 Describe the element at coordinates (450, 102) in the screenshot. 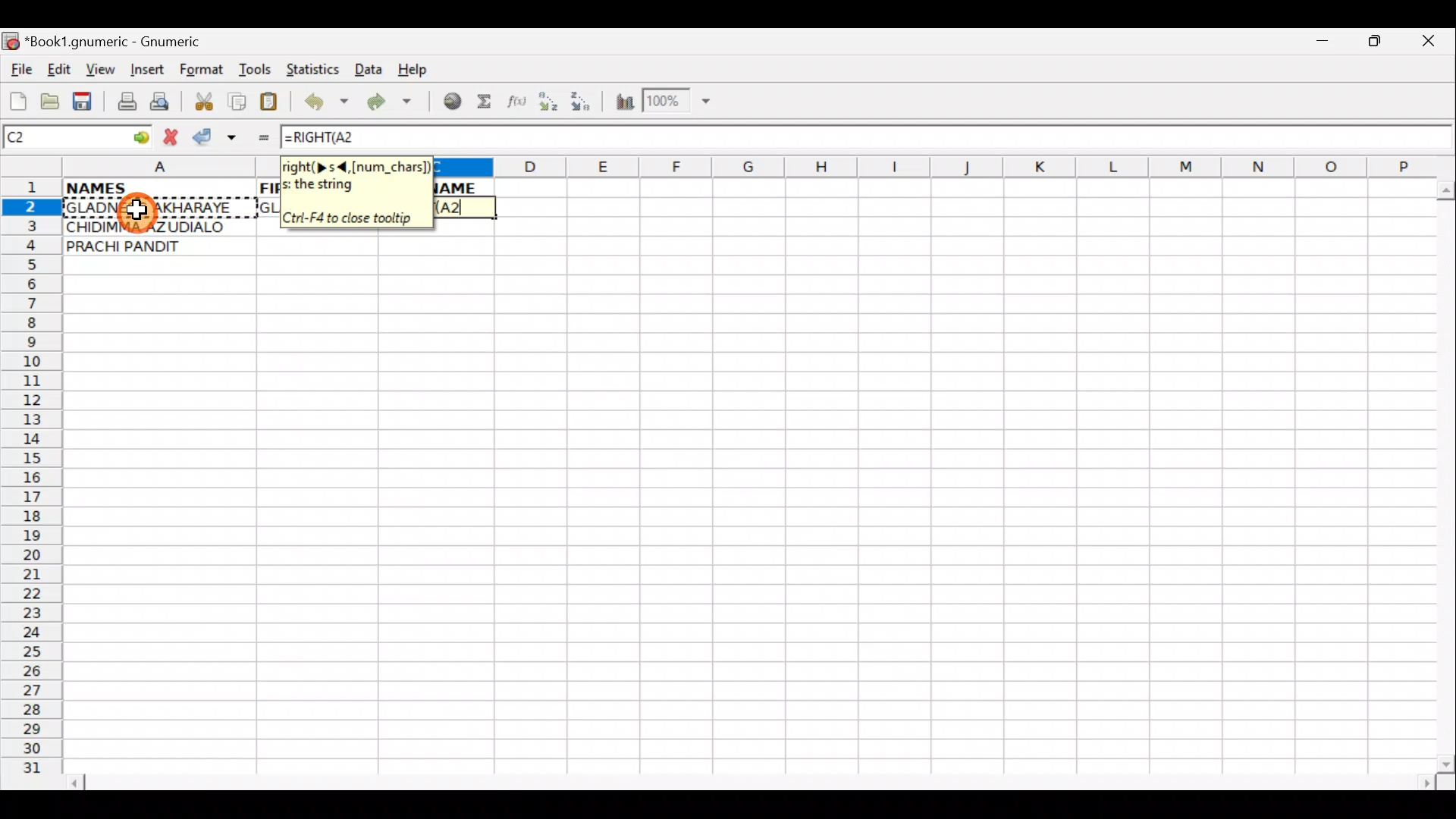

I see `Insert hyperlink` at that location.